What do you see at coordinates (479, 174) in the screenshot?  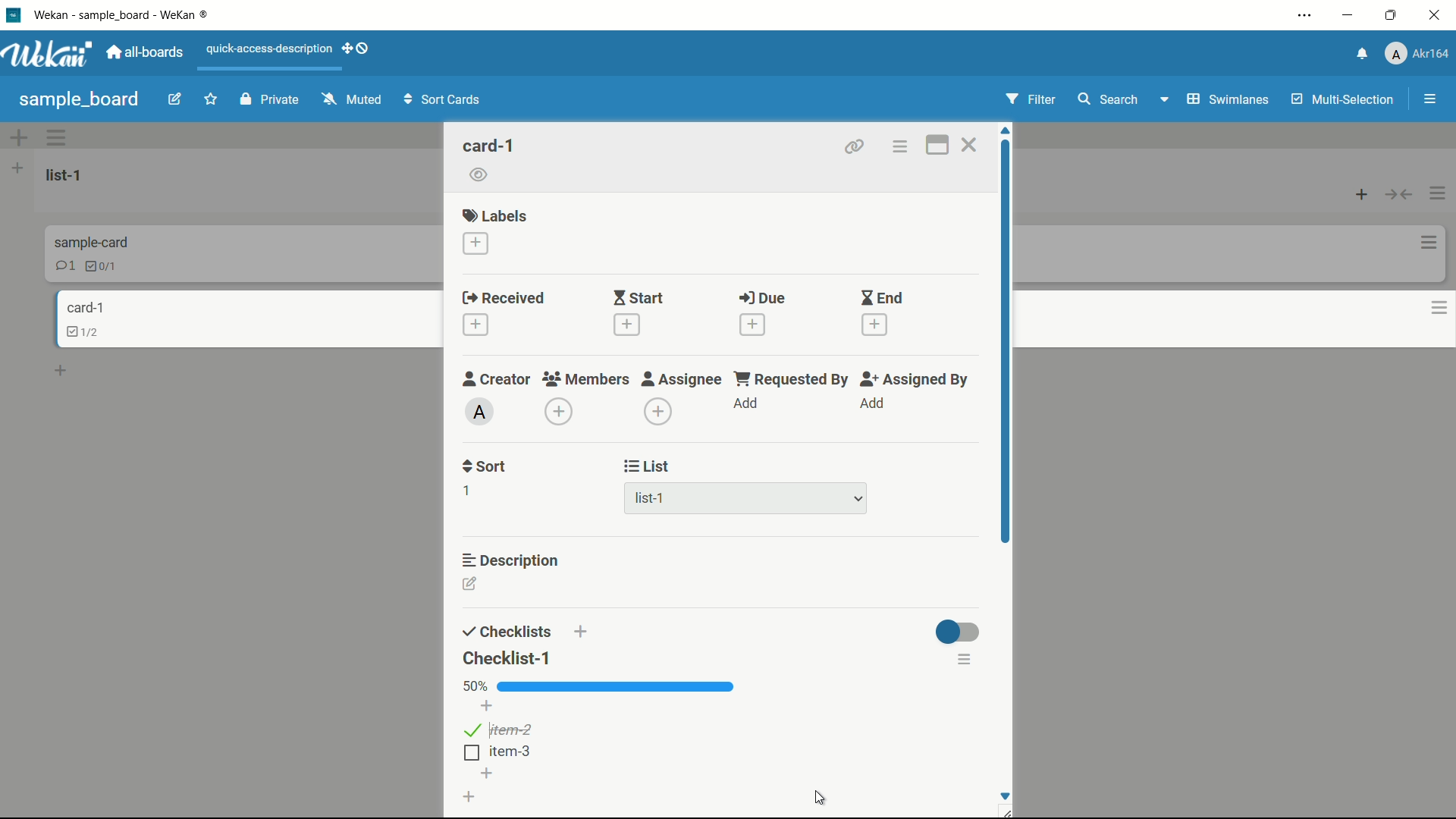 I see `watch icon` at bounding box center [479, 174].